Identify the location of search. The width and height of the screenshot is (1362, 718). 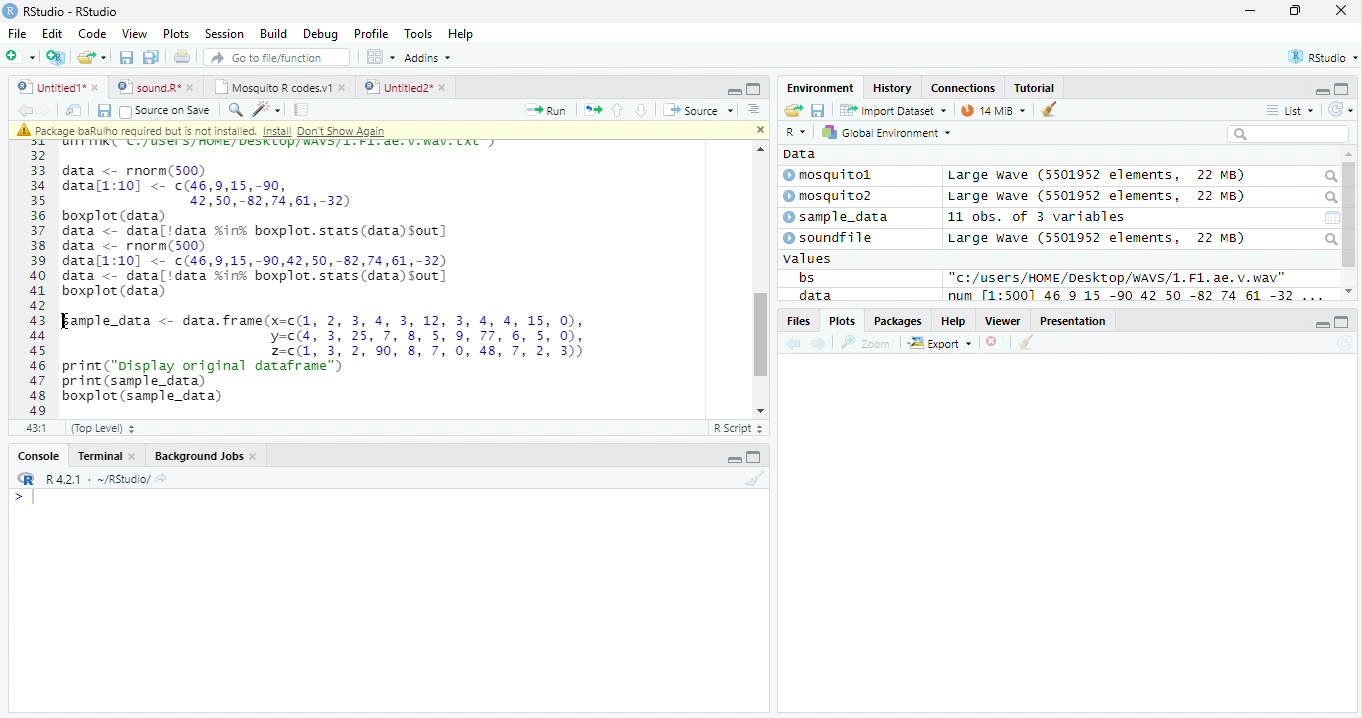
(1329, 198).